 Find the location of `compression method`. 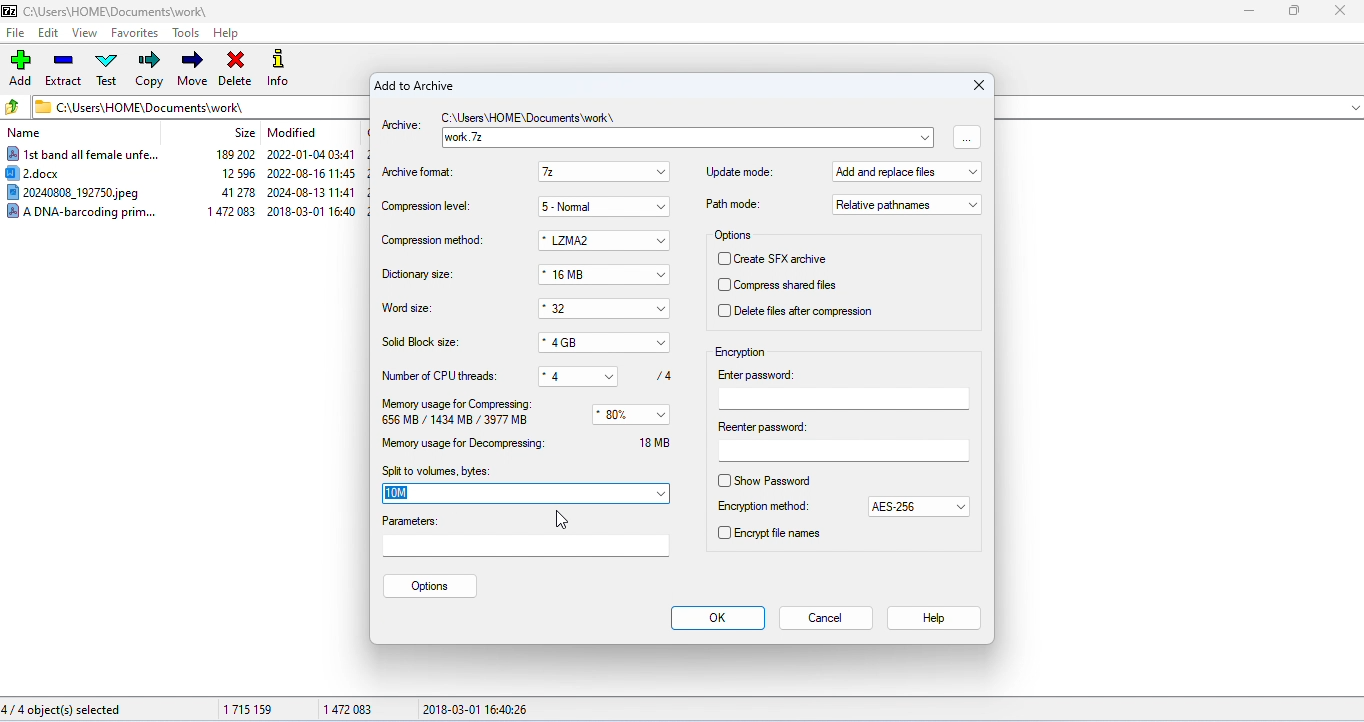

compression method is located at coordinates (432, 241).